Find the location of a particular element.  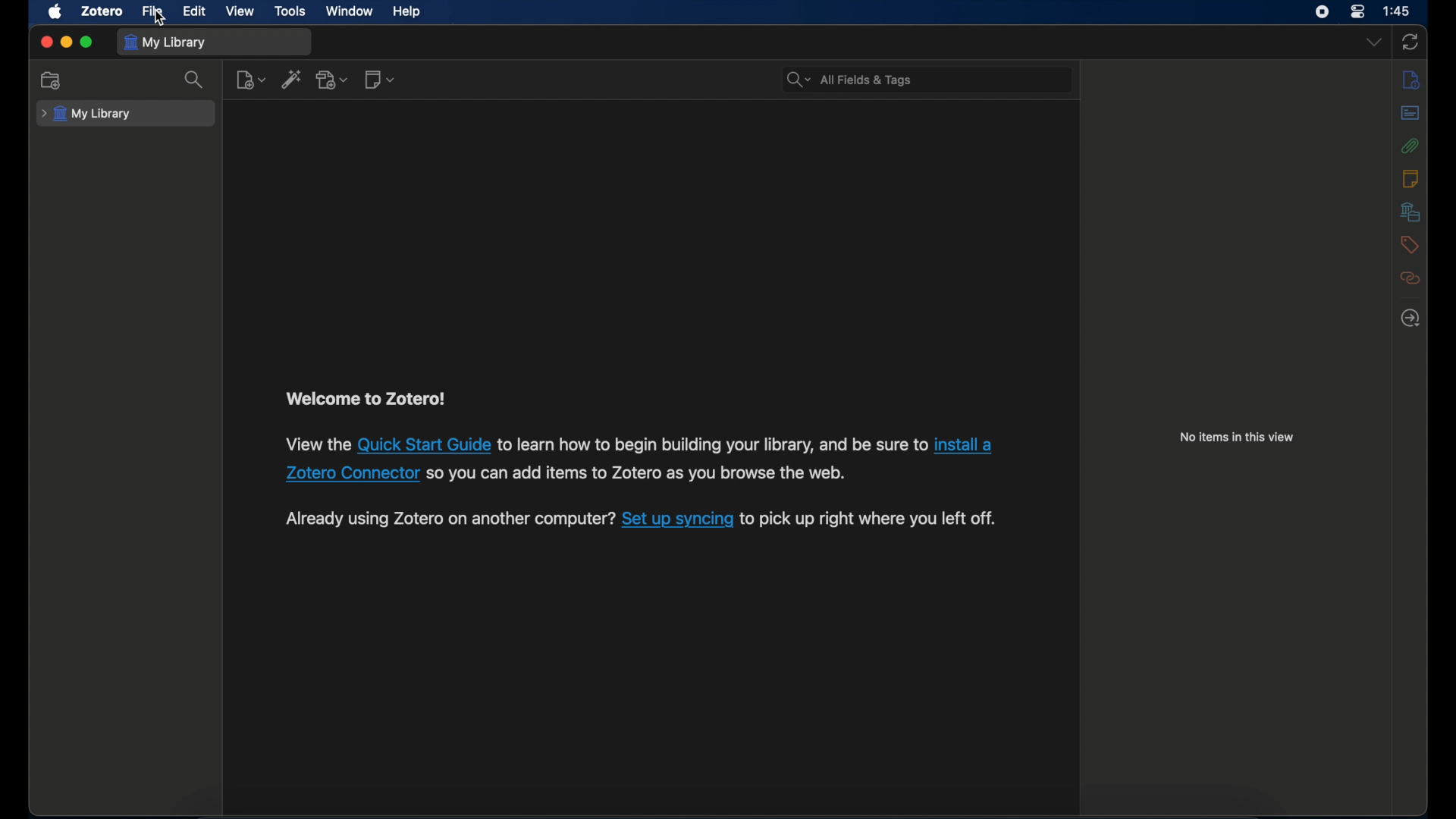

welcome to zotero is located at coordinates (365, 399).